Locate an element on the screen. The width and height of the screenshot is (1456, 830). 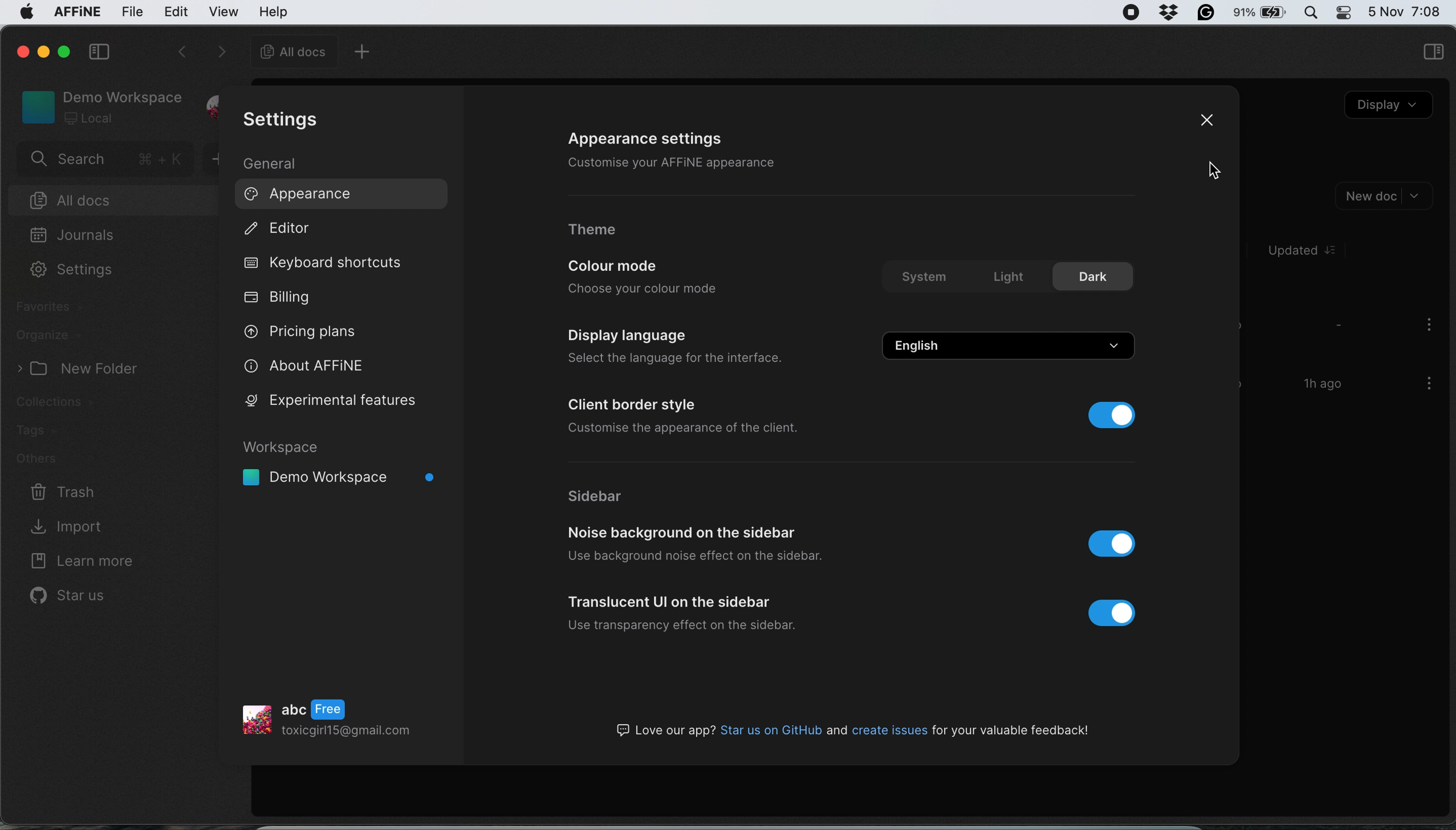
theme is located at coordinates (593, 229).